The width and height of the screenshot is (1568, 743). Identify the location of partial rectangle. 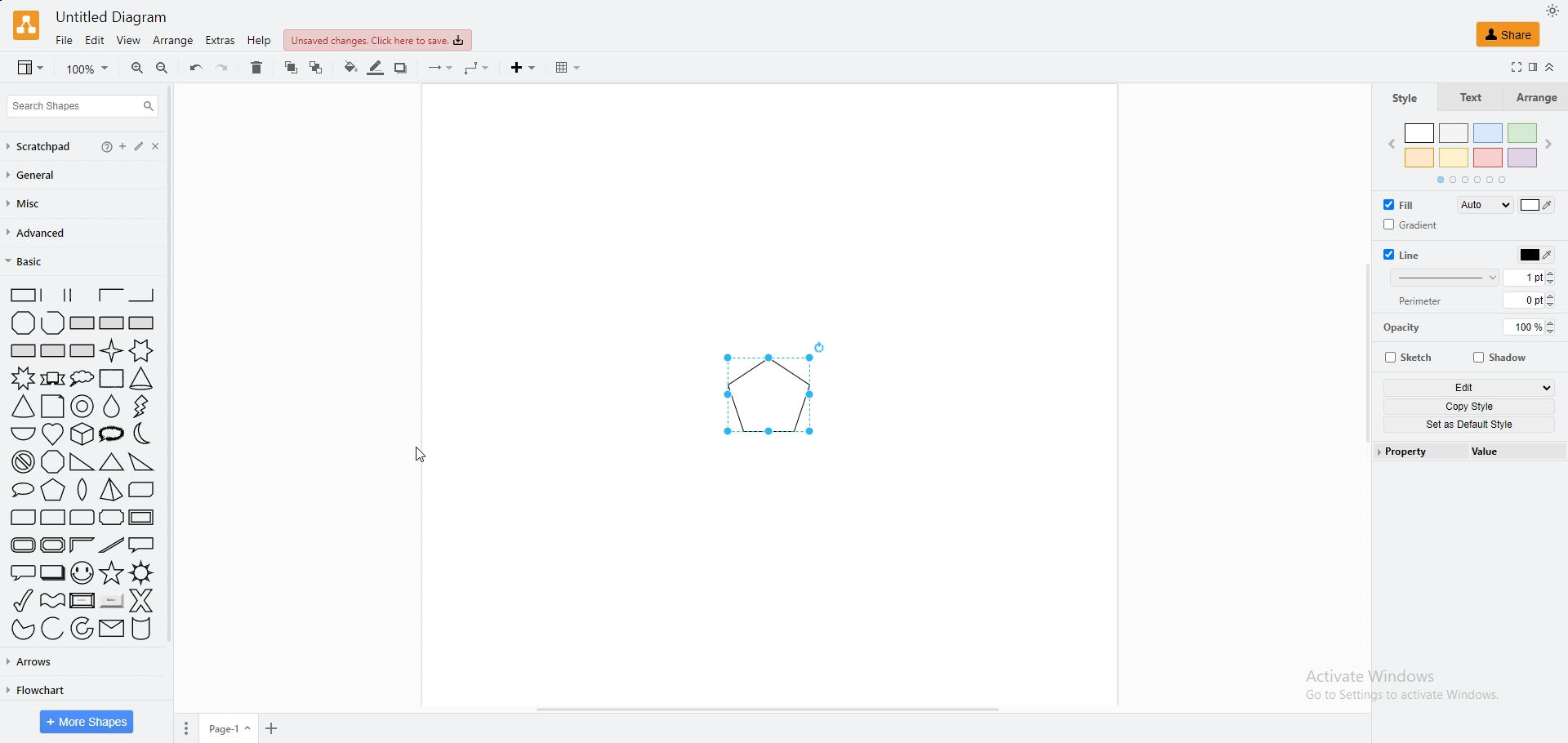
(79, 295).